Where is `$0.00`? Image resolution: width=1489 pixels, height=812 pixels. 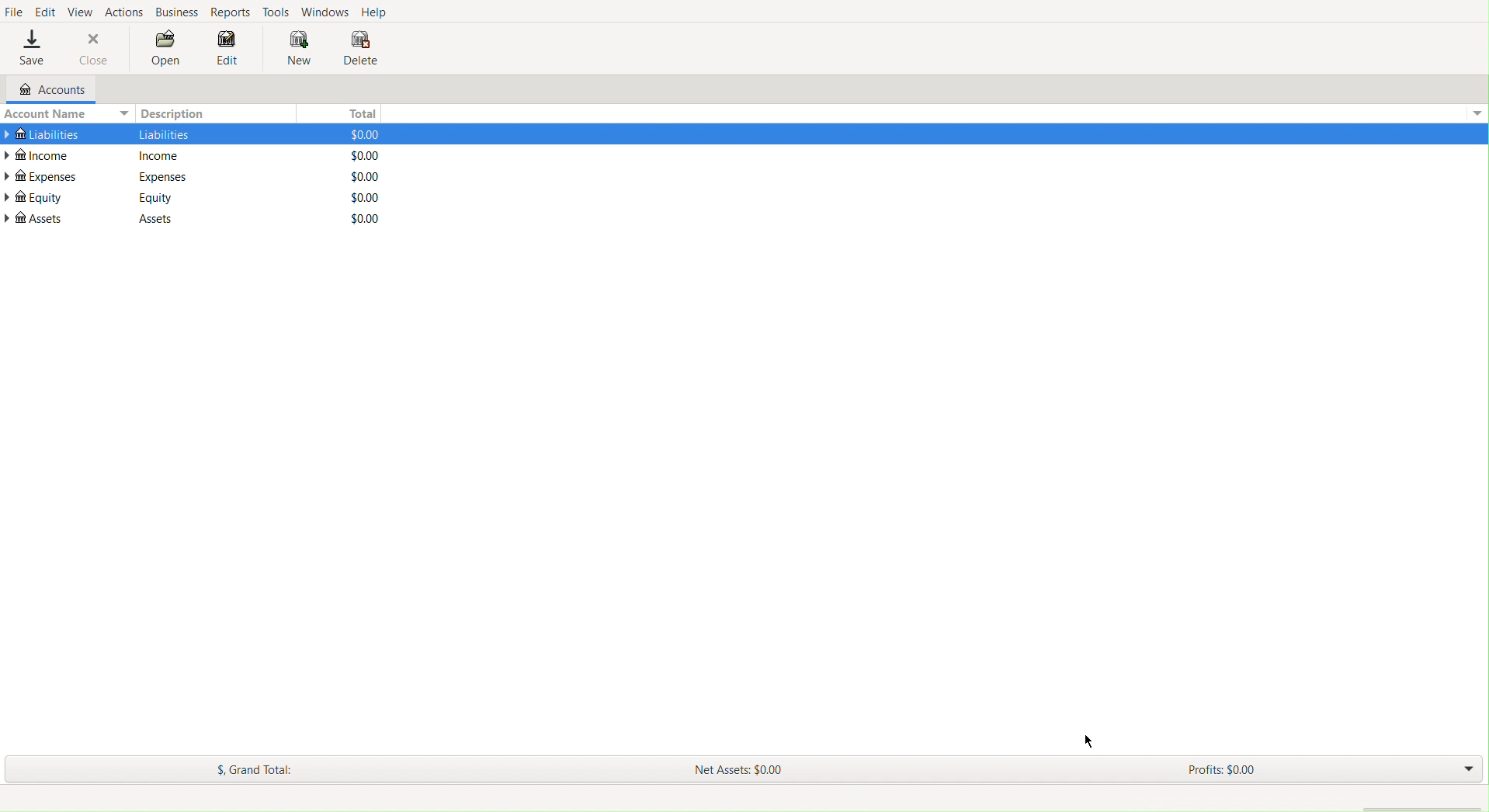
$0.00 is located at coordinates (360, 197).